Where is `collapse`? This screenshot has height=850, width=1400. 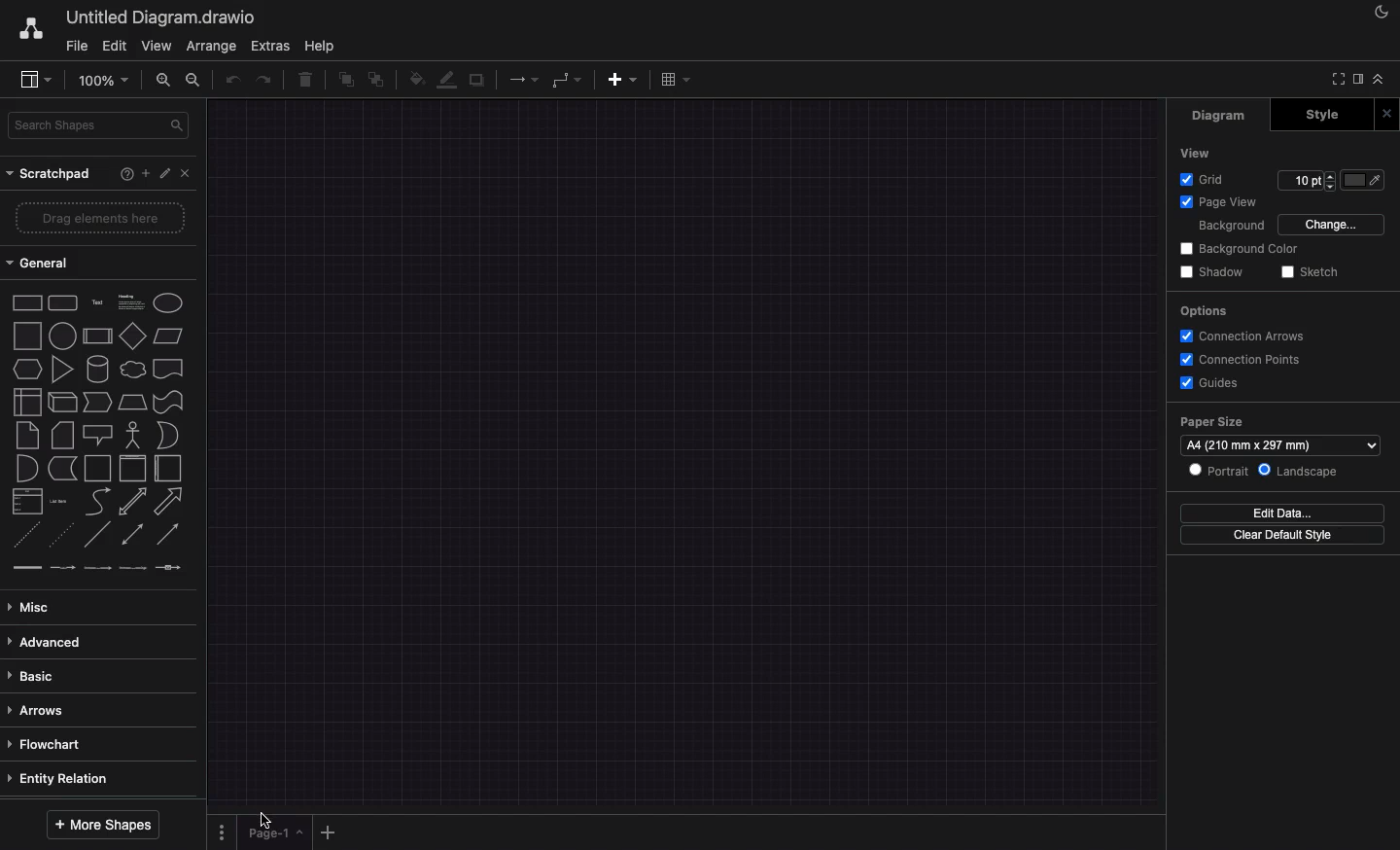
collapse is located at coordinates (1379, 79).